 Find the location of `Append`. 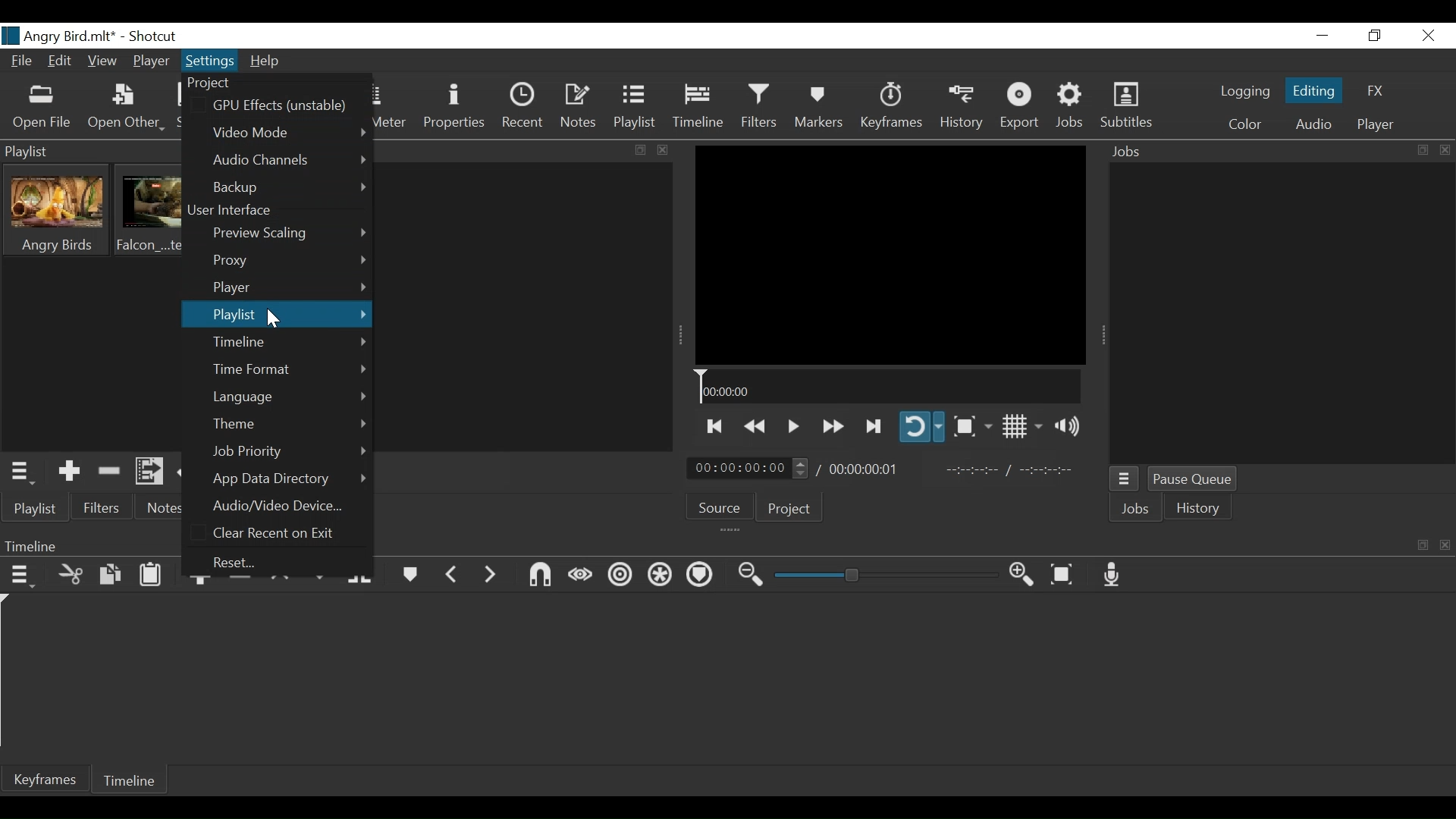

Append is located at coordinates (202, 583).